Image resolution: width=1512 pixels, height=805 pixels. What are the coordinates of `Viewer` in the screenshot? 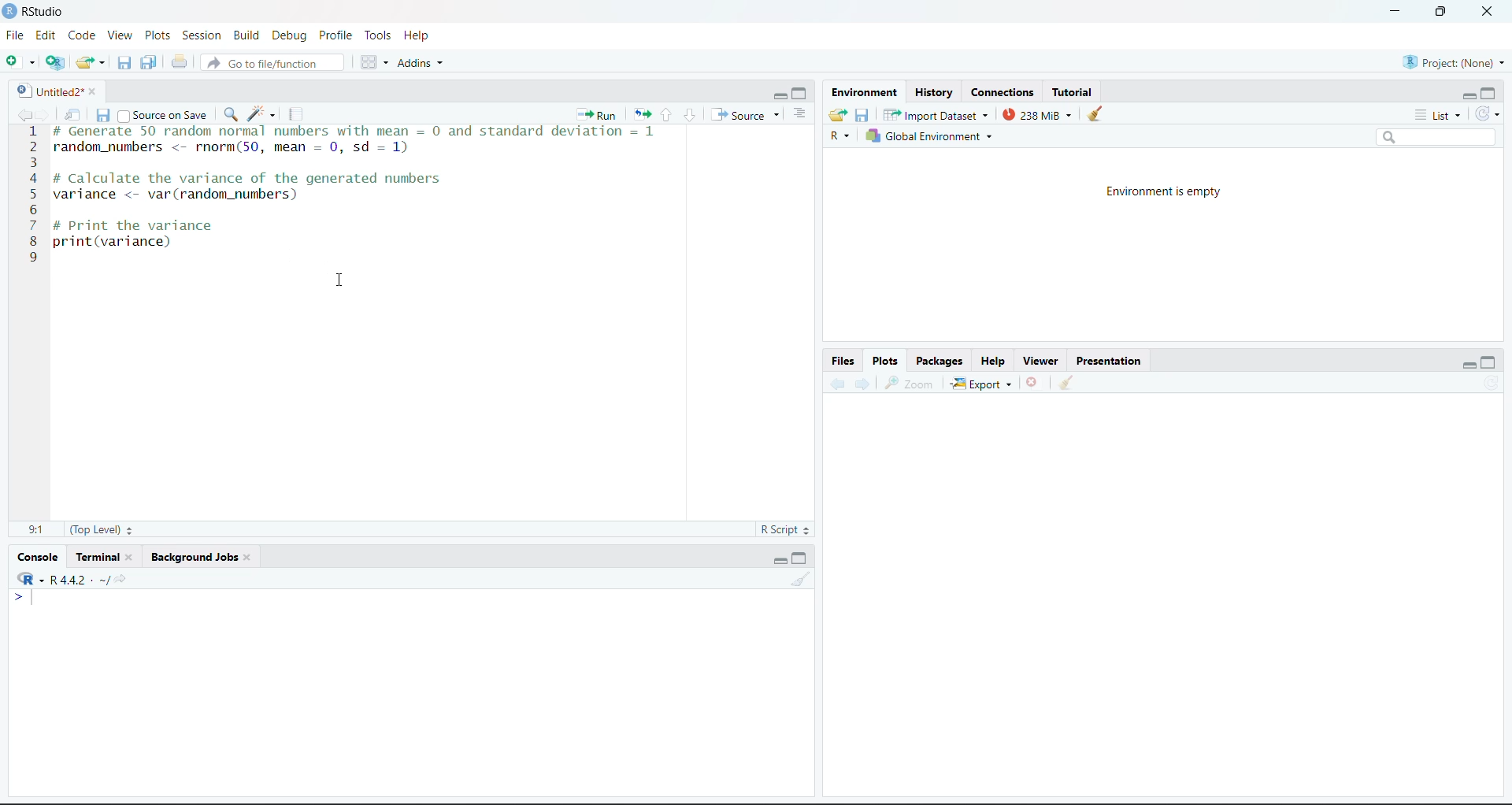 It's located at (1043, 361).